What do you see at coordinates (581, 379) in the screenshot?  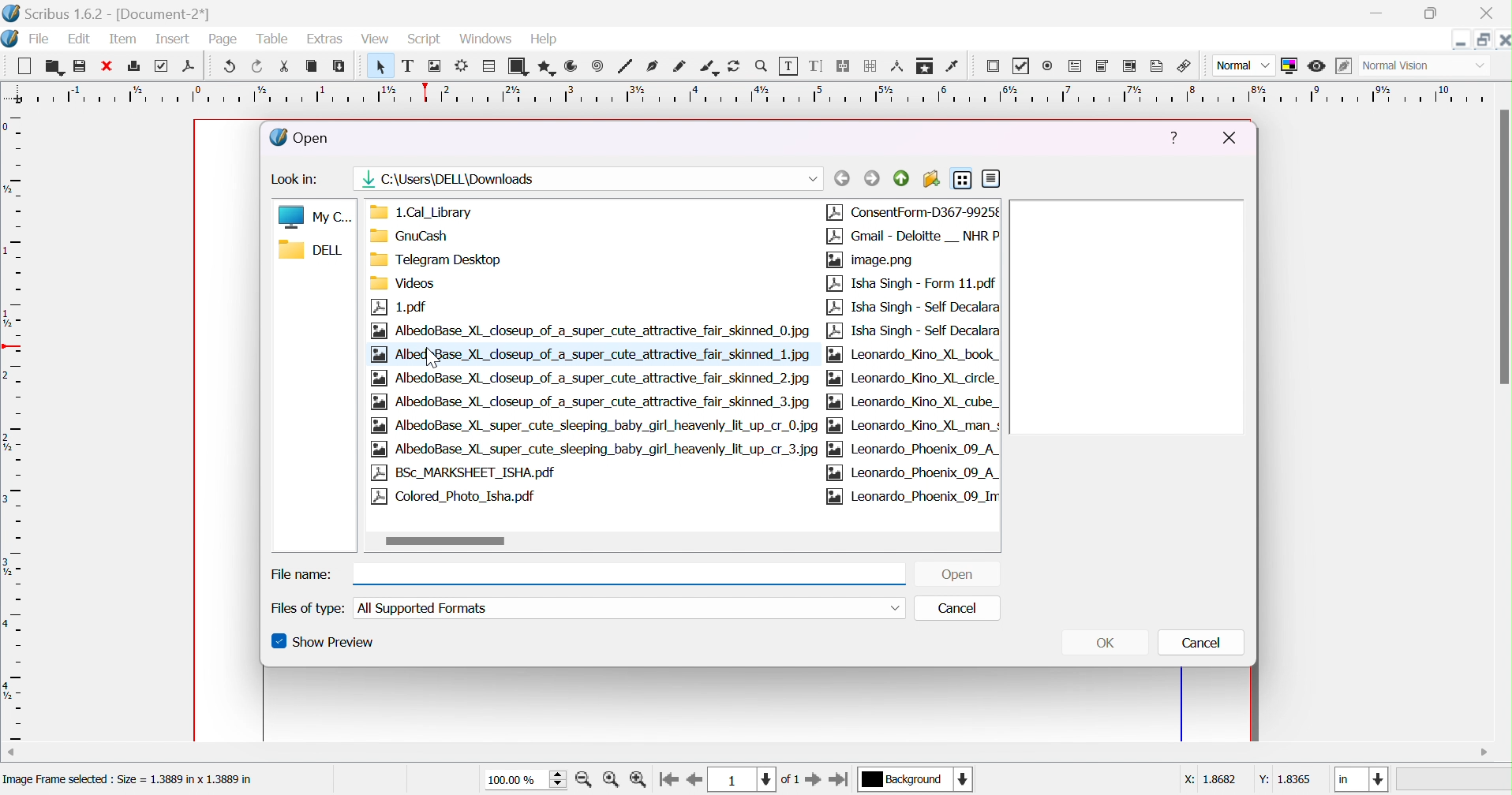 I see `| |aa) AlbedoBase_XL_closeup_of_a_super_cute_attractive_fair_skinned_2.jpg` at bounding box center [581, 379].